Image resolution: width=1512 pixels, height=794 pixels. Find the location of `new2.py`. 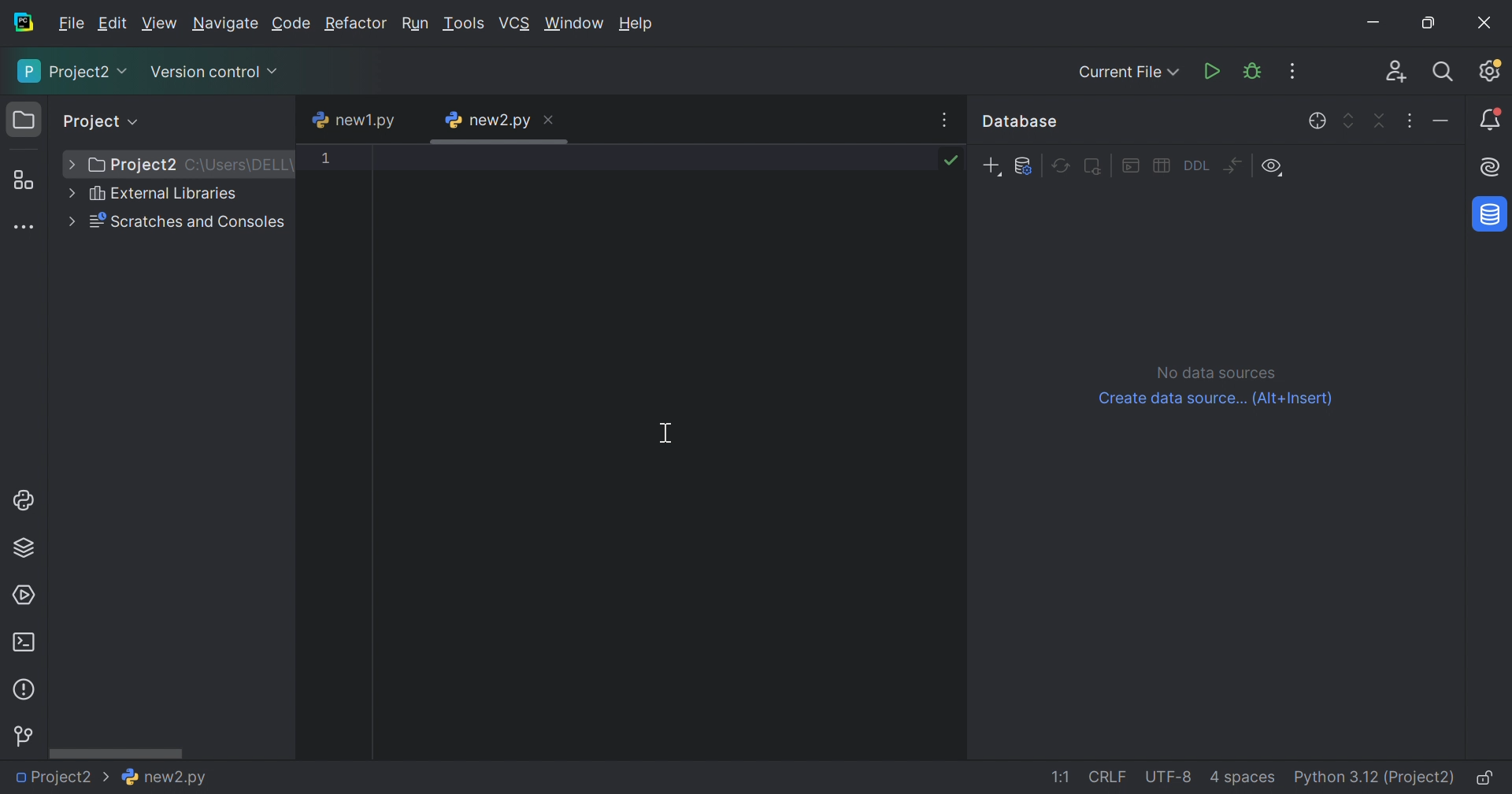

new2.py is located at coordinates (163, 777).